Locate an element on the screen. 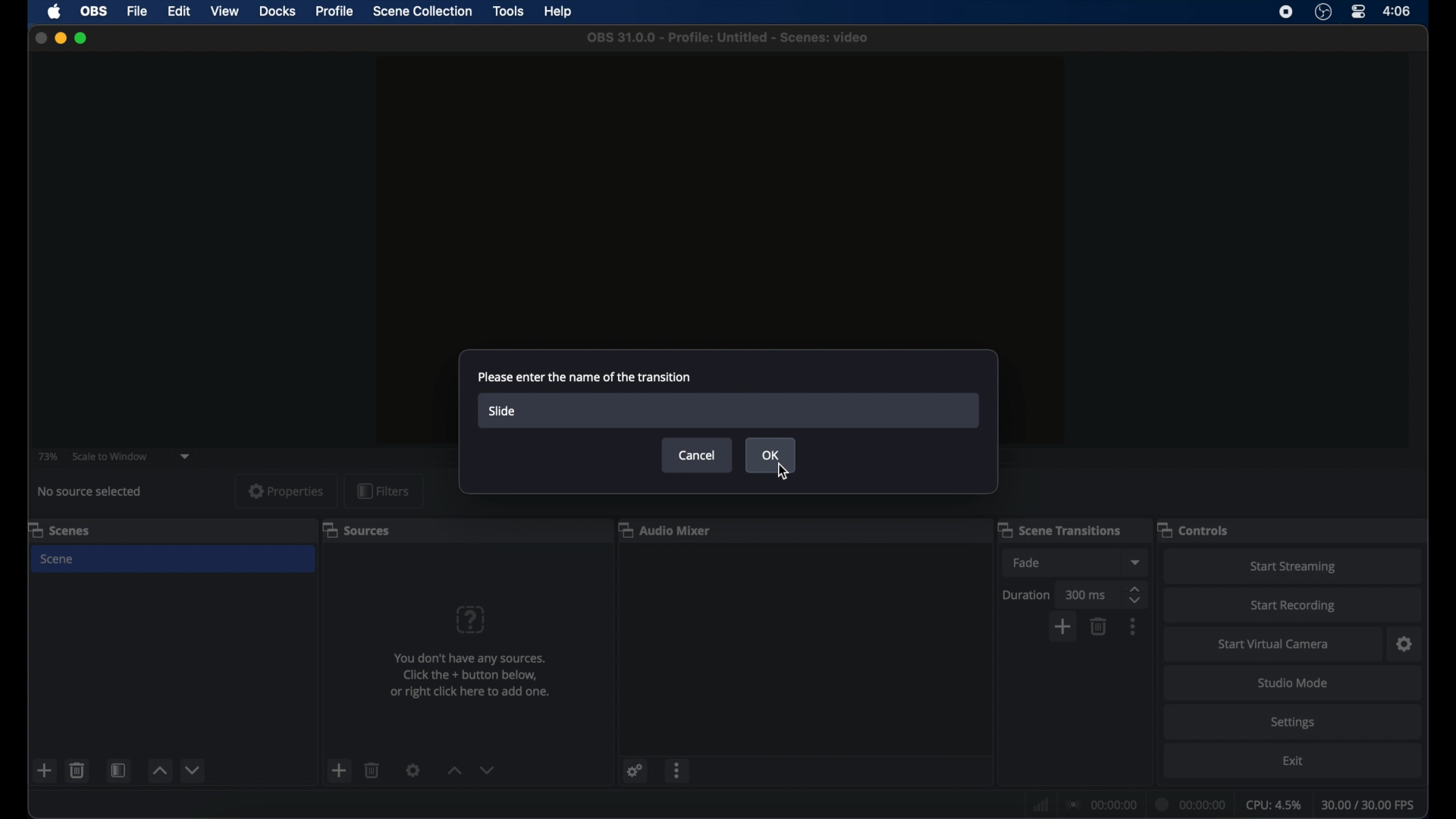 This screenshot has width=1456, height=819. fade is located at coordinates (1028, 563).